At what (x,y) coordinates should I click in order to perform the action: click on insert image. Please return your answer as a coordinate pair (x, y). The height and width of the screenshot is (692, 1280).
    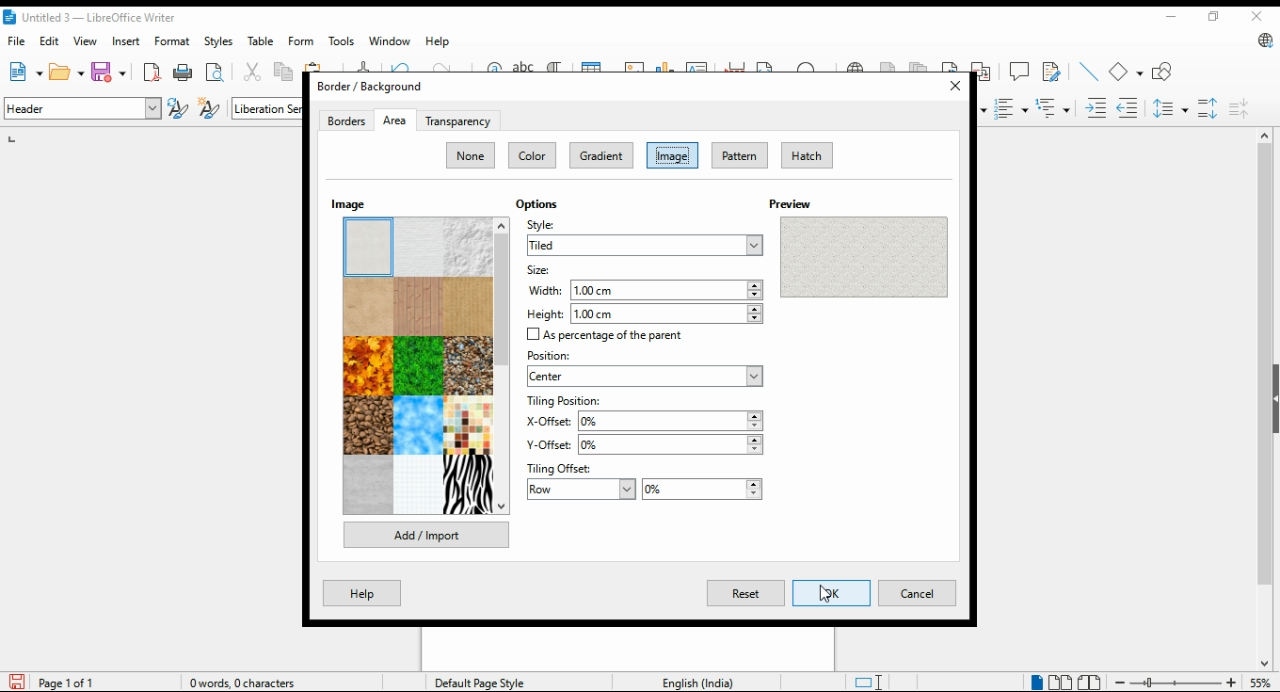
    Looking at the image, I should click on (635, 64).